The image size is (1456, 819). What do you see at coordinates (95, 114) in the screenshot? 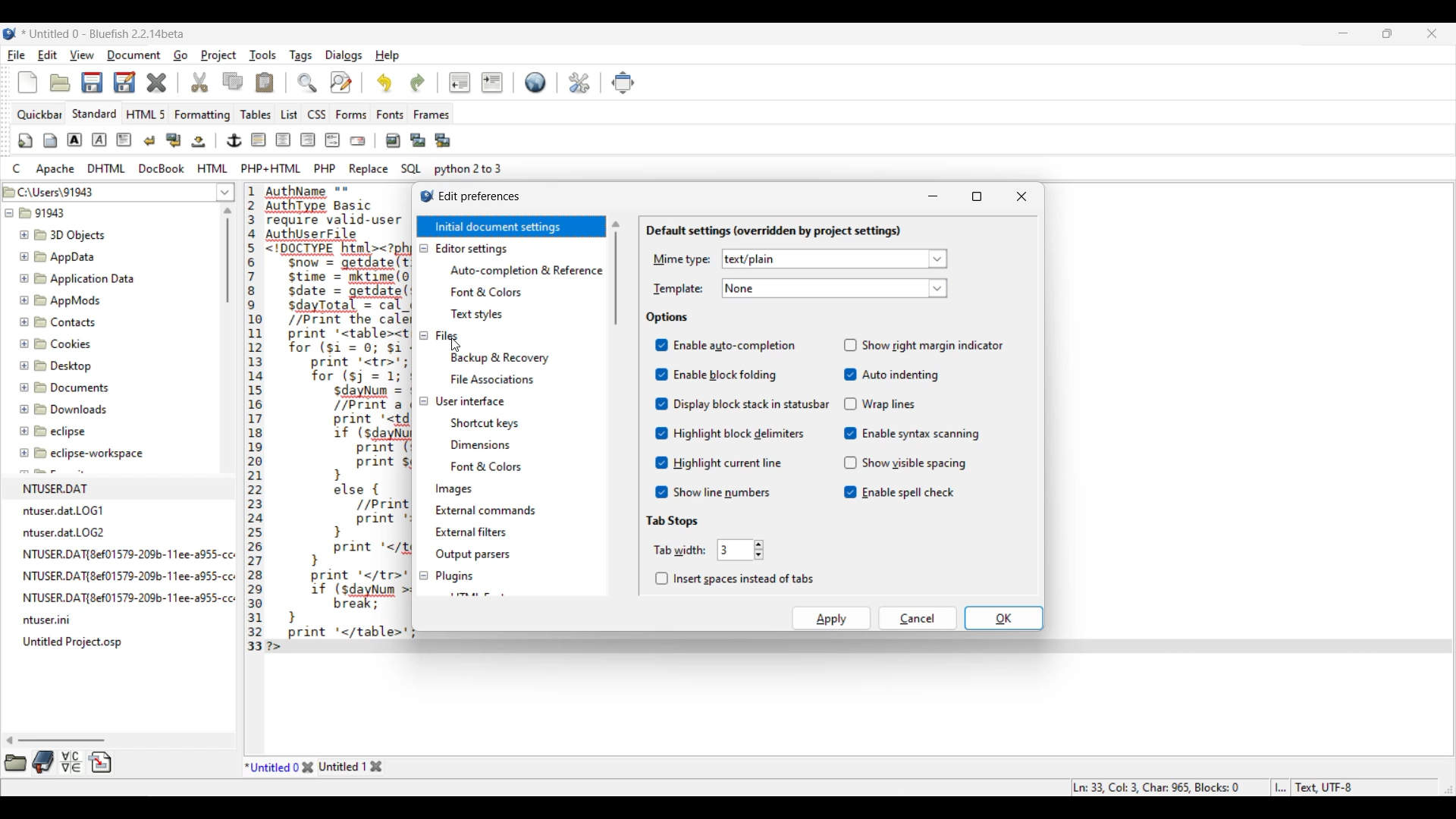
I see `Standard` at bounding box center [95, 114].